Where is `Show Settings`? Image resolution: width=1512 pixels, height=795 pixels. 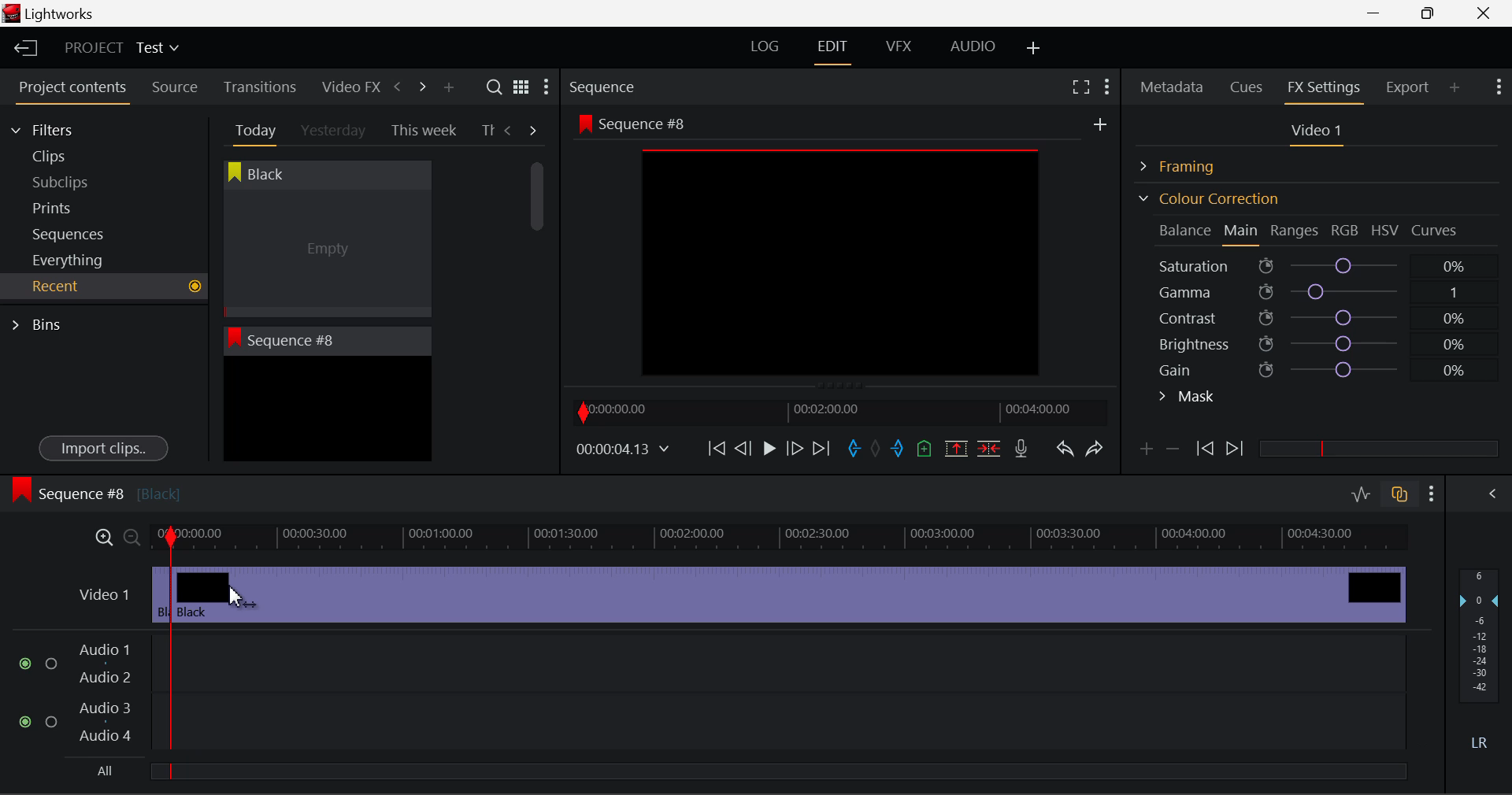 Show Settings is located at coordinates (1497, 85).